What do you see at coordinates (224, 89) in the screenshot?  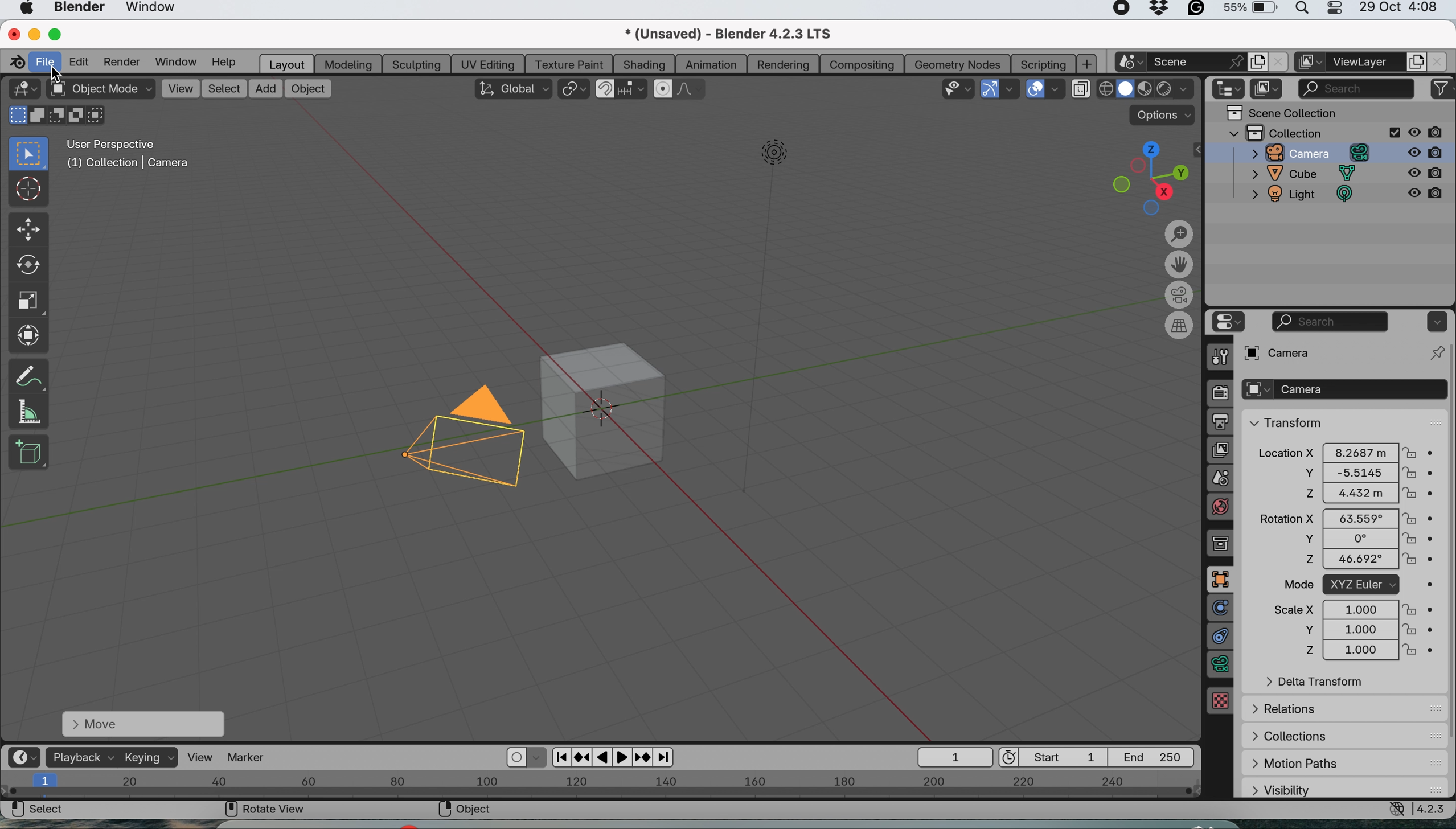 I see `select` at bounding box center [224, 89].